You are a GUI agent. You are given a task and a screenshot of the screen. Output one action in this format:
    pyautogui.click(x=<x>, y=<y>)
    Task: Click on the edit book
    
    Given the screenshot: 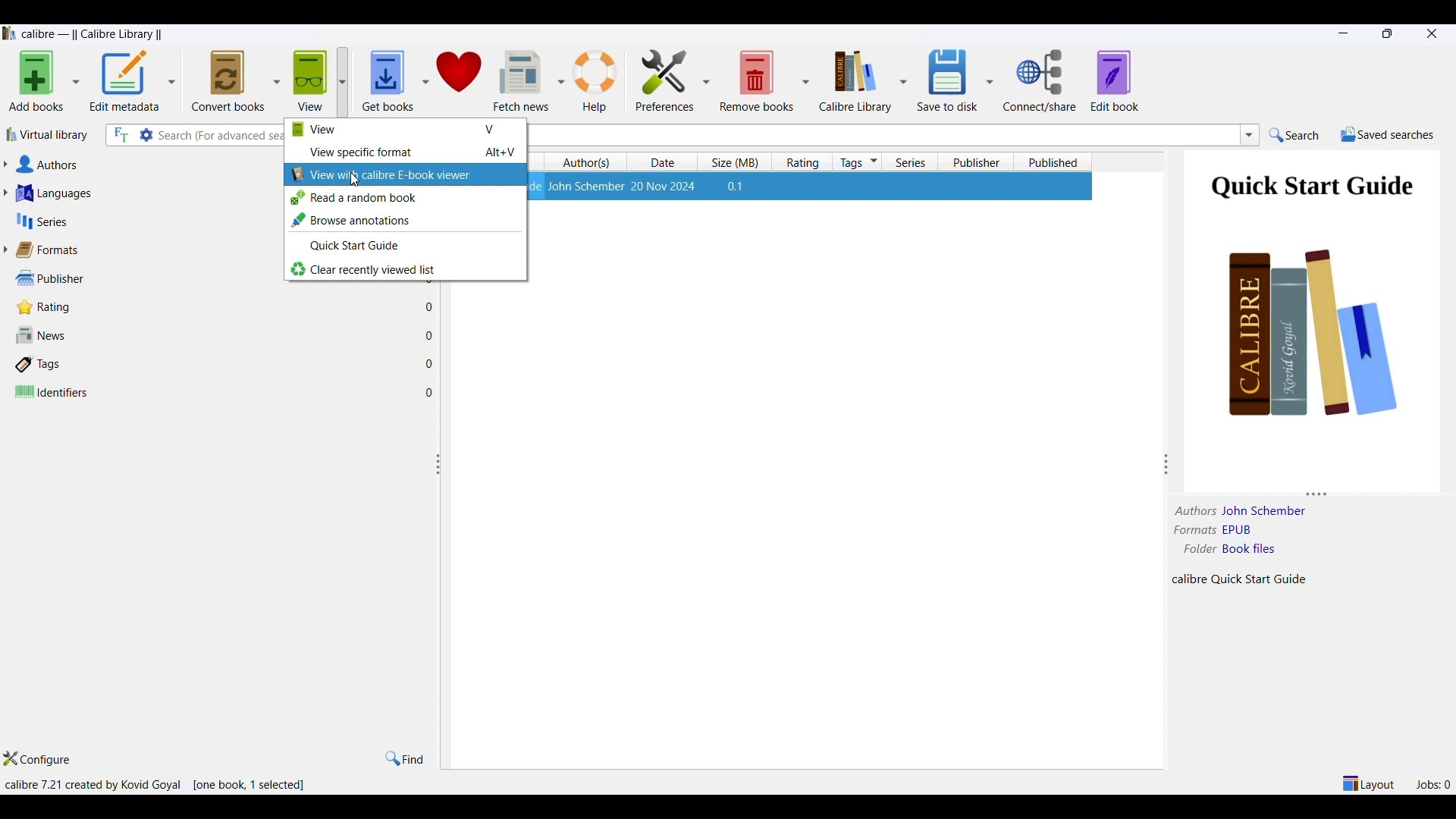 What is the action you would take?
    pyautogui.click(x=1119, y=82)
    